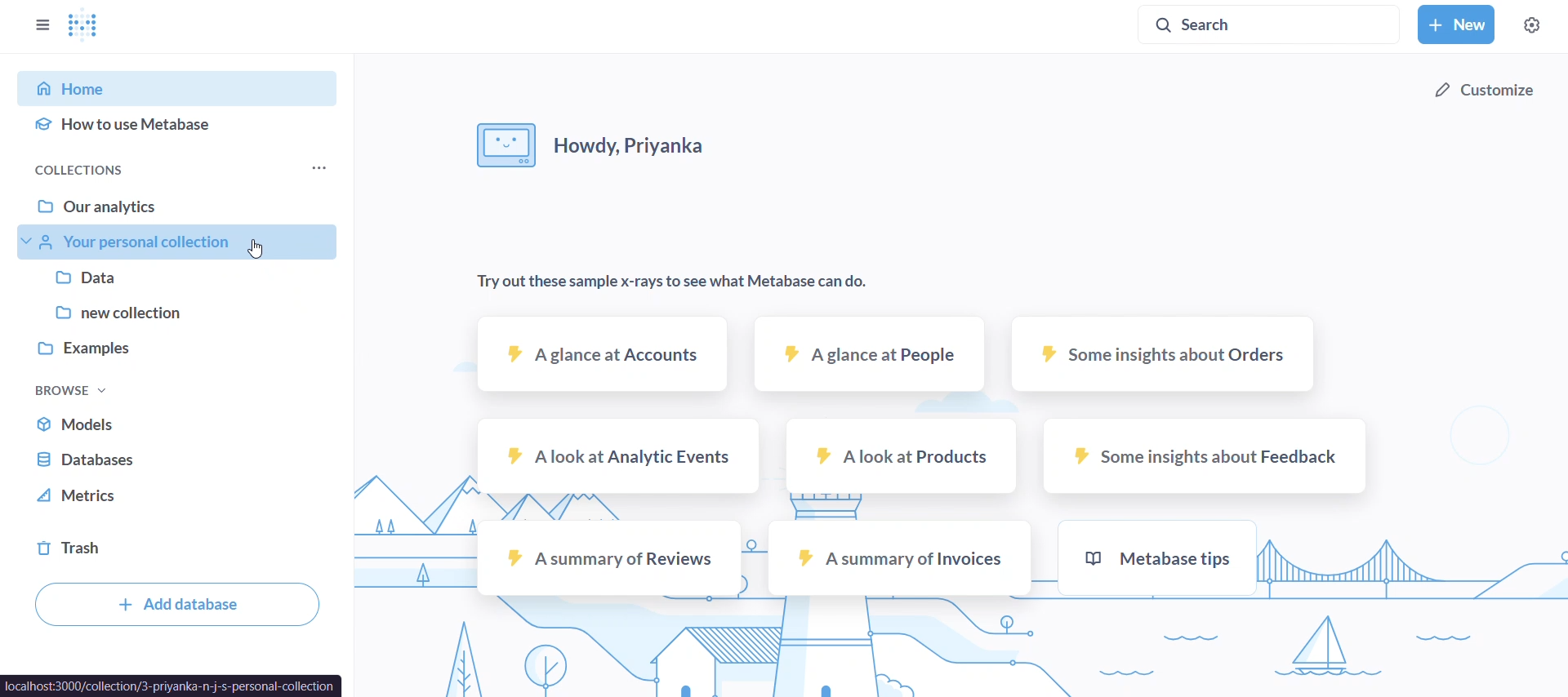  Describe the element at coordinates (1274, 24) in the screenshot. I see `search` at that location.